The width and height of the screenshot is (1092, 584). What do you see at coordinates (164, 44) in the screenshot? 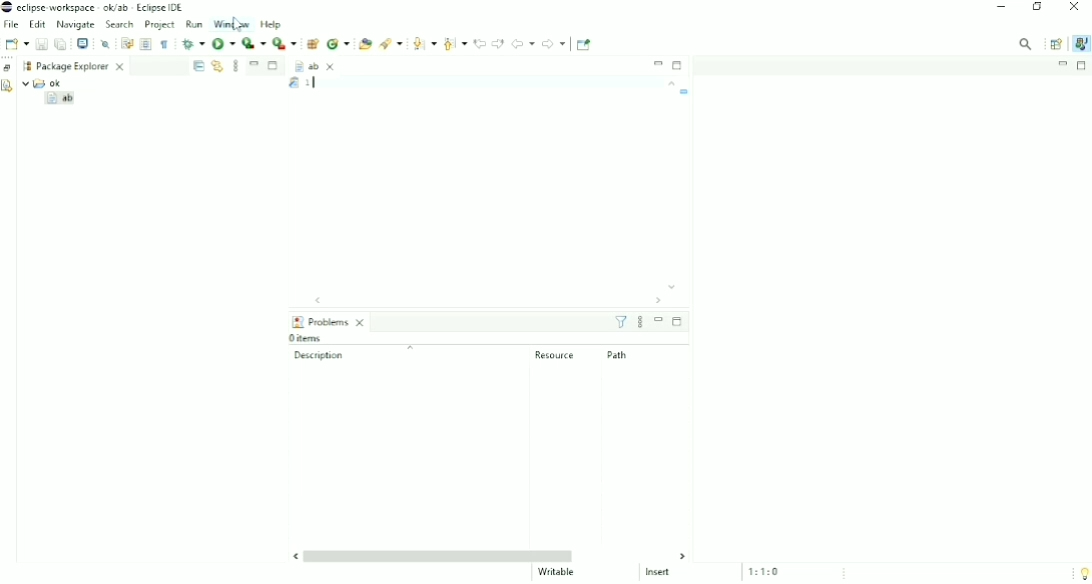
I see `Show Whitespace Characters` at bounding box center [164, 44].